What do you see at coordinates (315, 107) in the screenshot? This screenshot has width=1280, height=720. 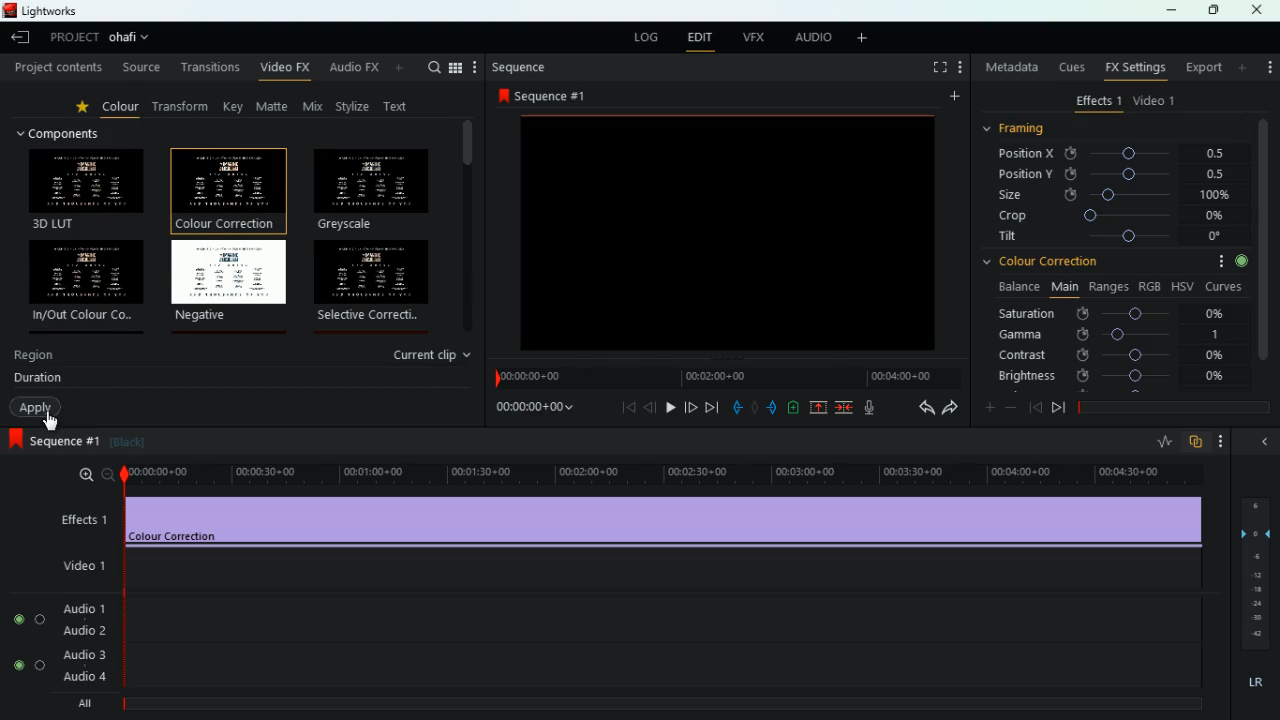 I see `mix` at bounding box center [315, 107].